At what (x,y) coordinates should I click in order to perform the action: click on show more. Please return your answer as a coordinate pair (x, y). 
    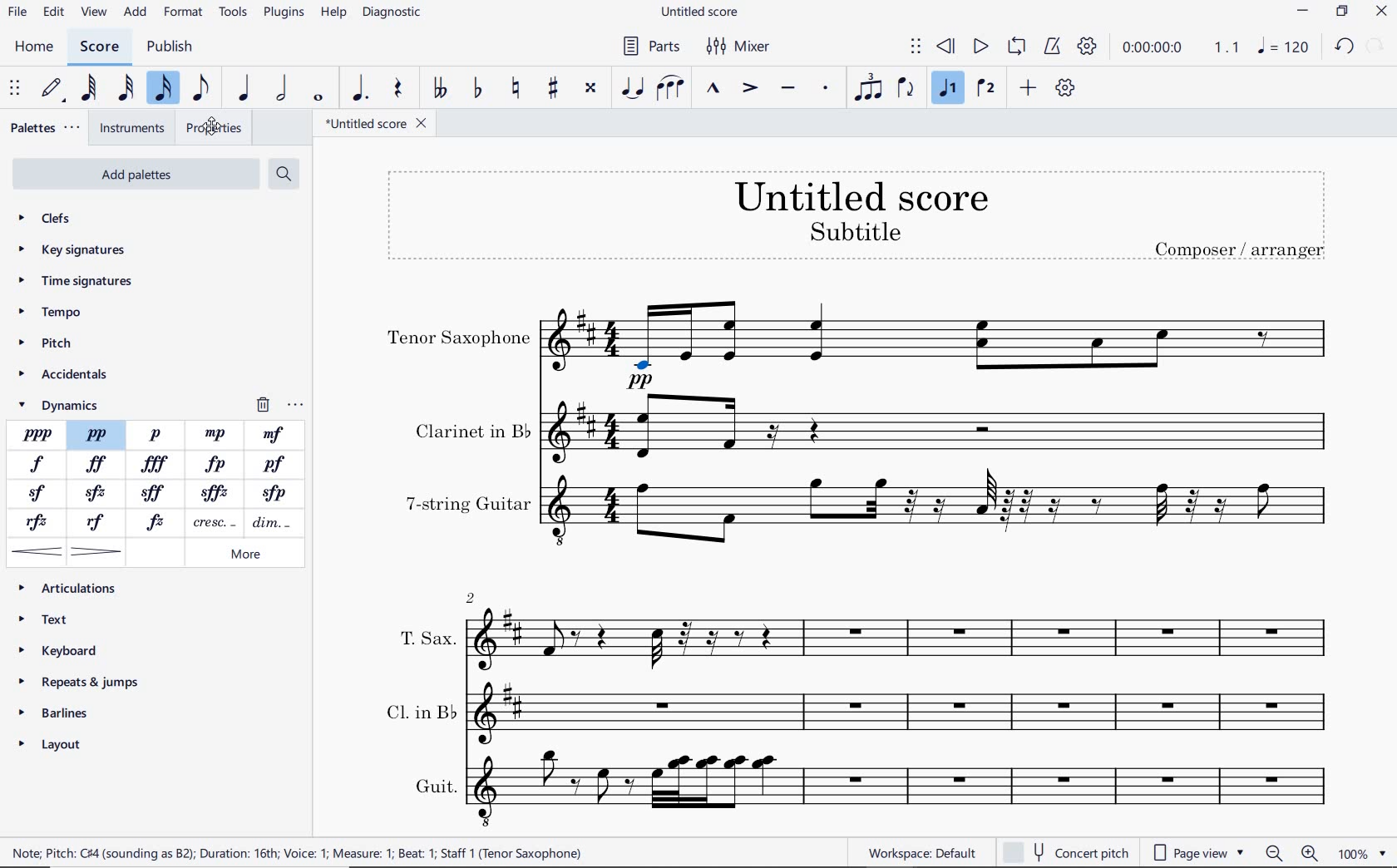
    Looking at the image, I should click on (56, 820).